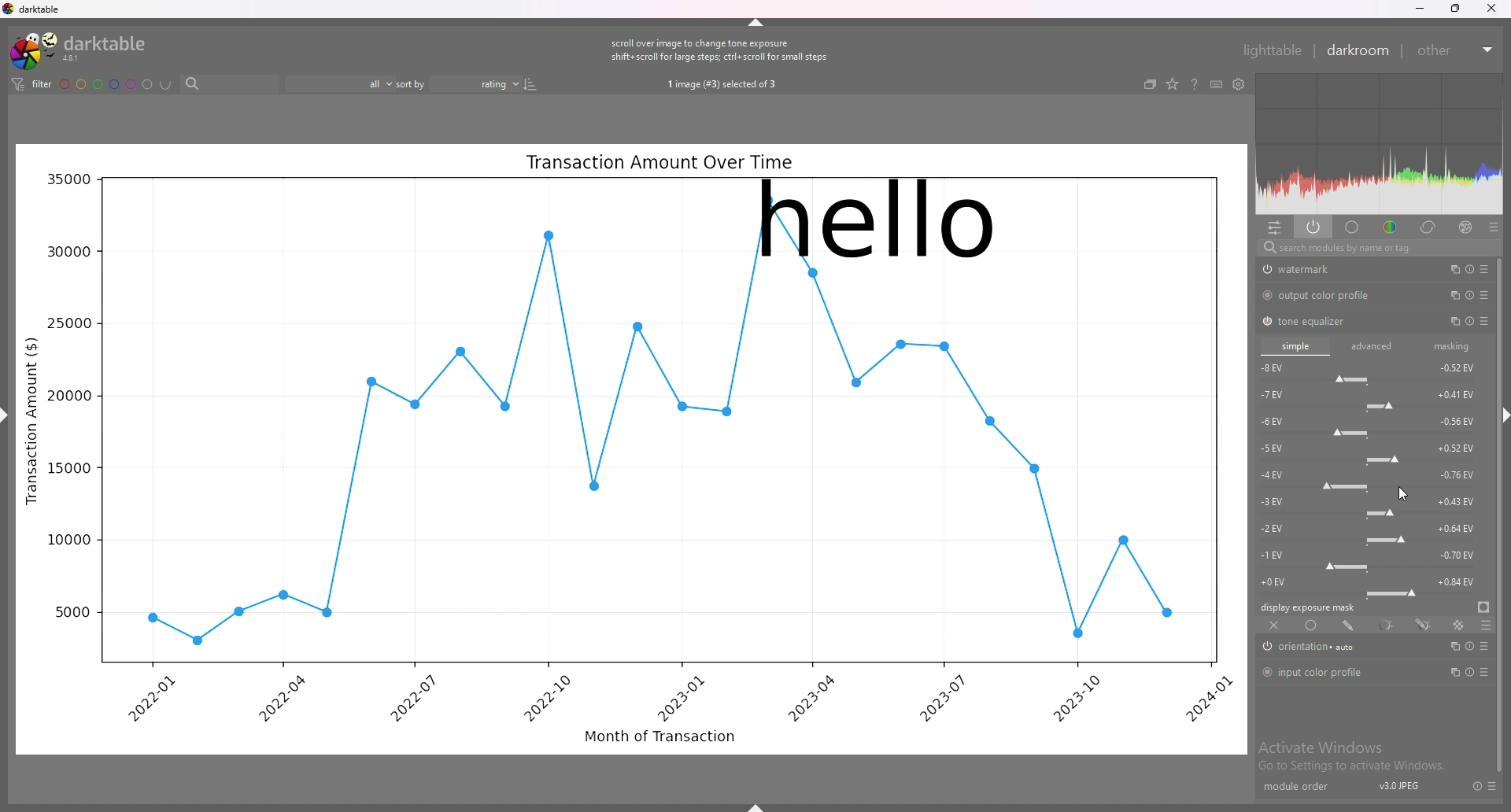 The image size is (1511, 812). I want to click on collapse grouped images, so click(1150, 84).